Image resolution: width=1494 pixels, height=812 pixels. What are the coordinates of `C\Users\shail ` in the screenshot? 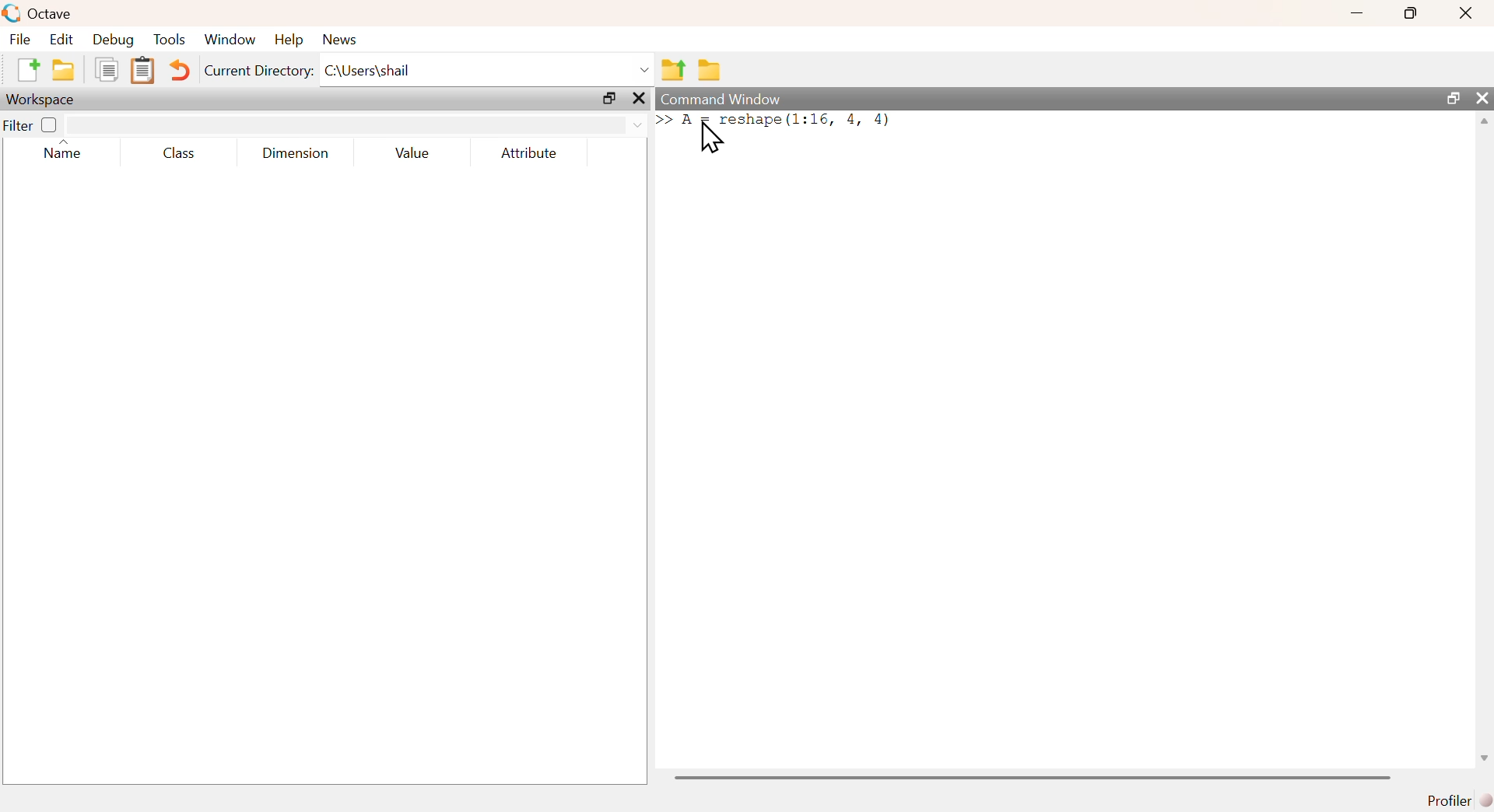 It's located at (488, 69).